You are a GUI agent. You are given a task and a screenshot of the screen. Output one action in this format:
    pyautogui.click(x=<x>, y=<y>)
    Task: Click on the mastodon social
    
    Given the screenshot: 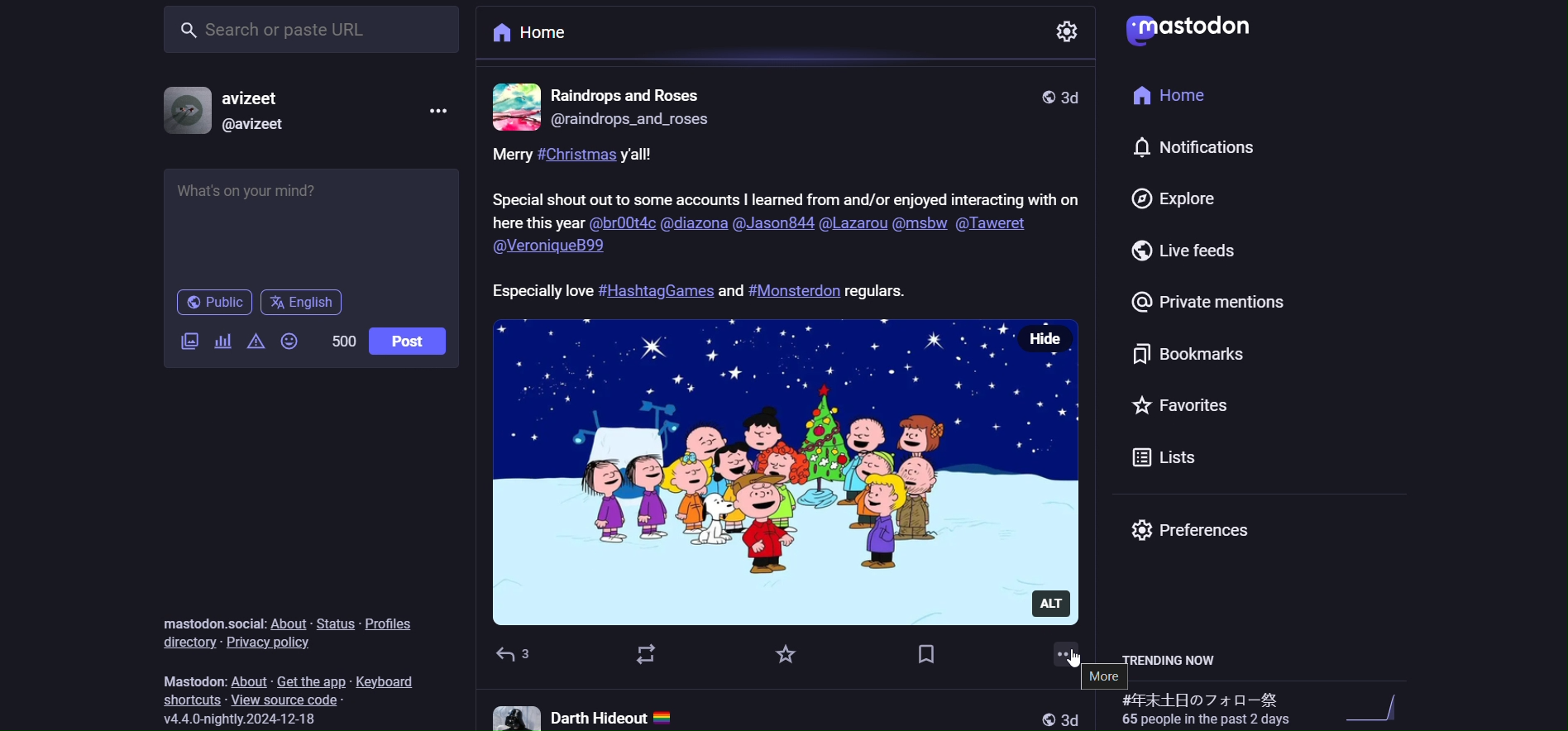 What is the action you would take?
    pyautogui.click(x=211, y=621)
    